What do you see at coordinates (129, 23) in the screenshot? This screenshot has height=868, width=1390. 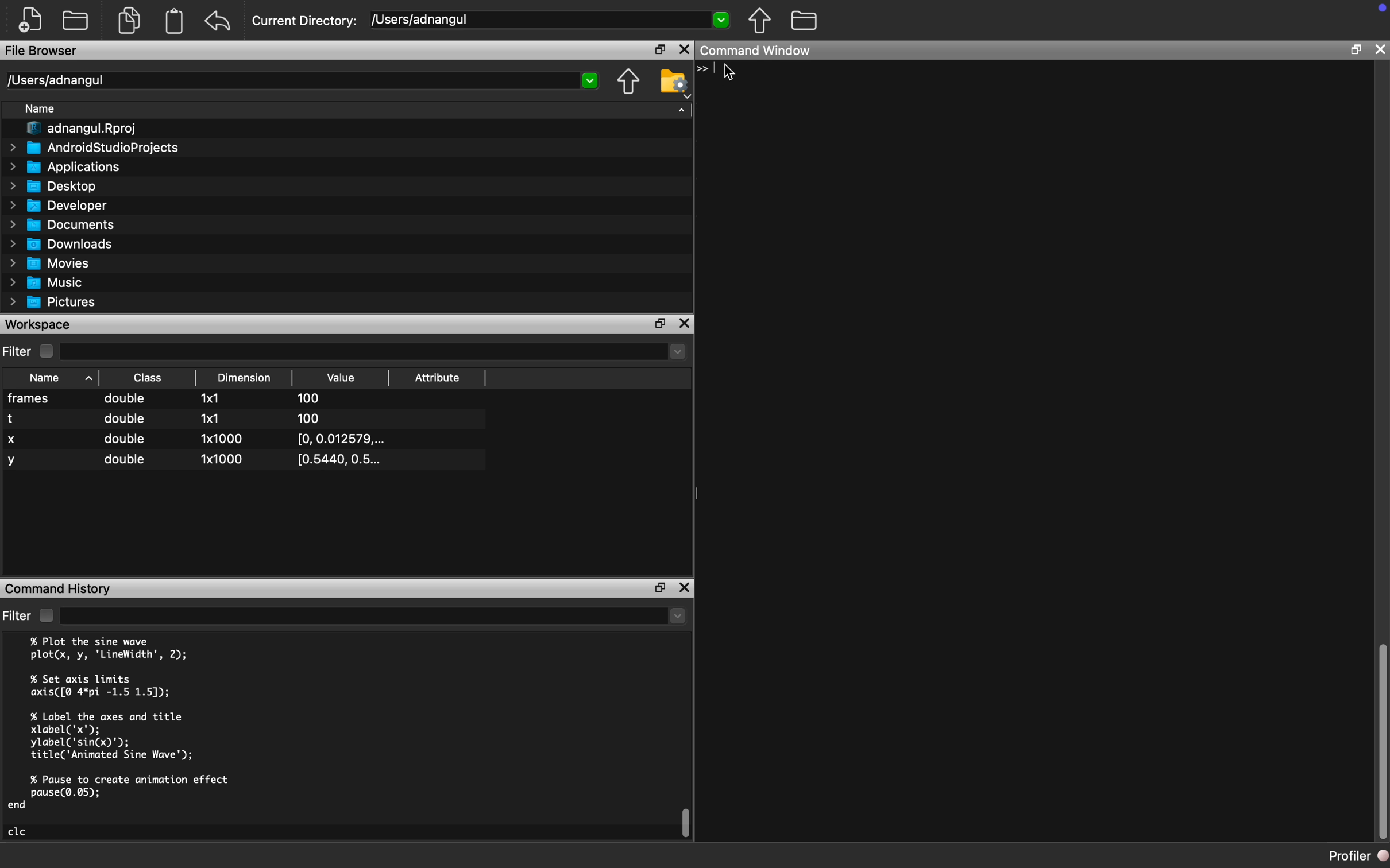 I see `Copy` at bounding box center [129, 23].